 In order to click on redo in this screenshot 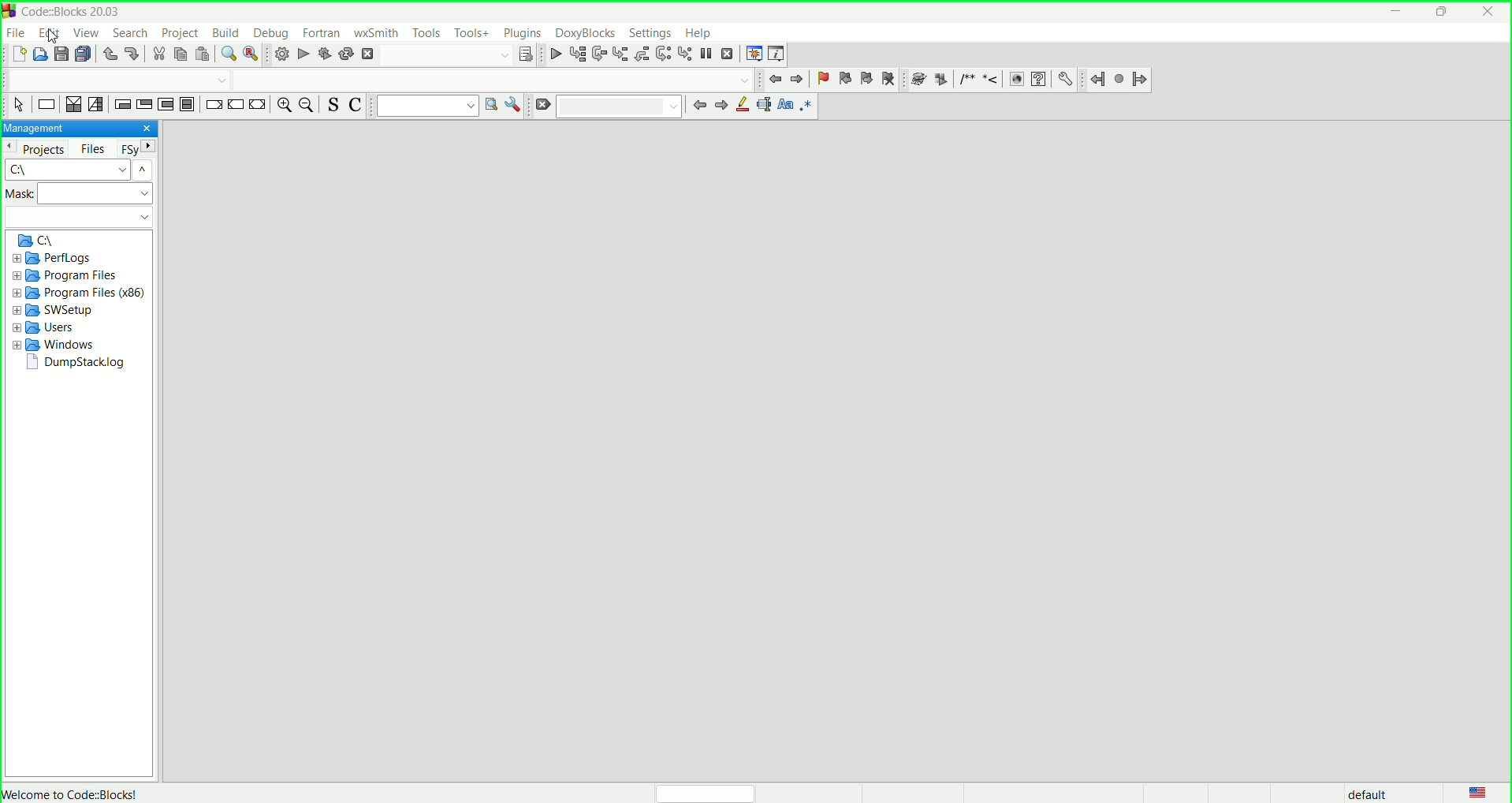, I will do `click(132, 56)`.